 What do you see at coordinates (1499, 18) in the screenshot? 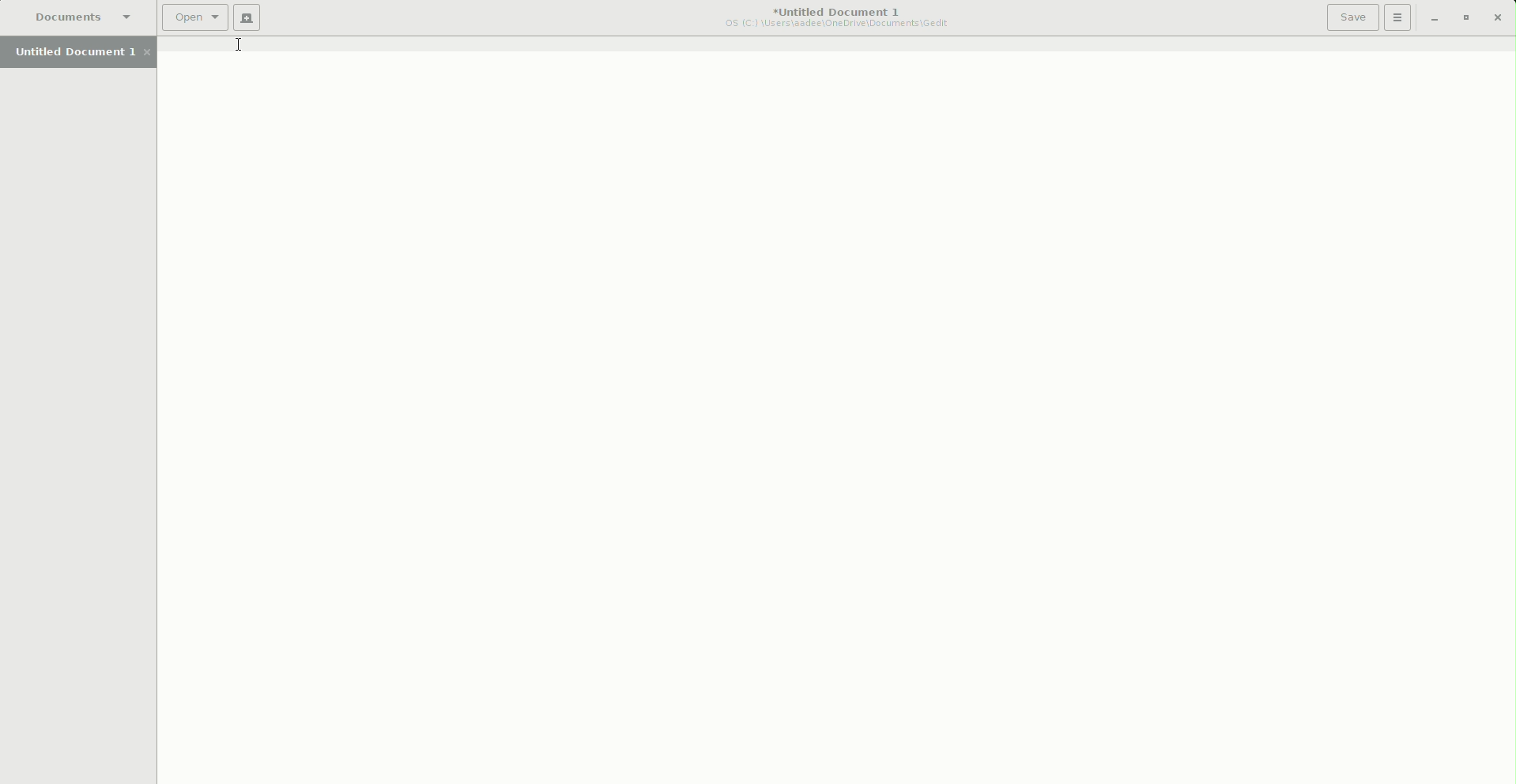
I see `Close` at bounding box center [1499, 18].